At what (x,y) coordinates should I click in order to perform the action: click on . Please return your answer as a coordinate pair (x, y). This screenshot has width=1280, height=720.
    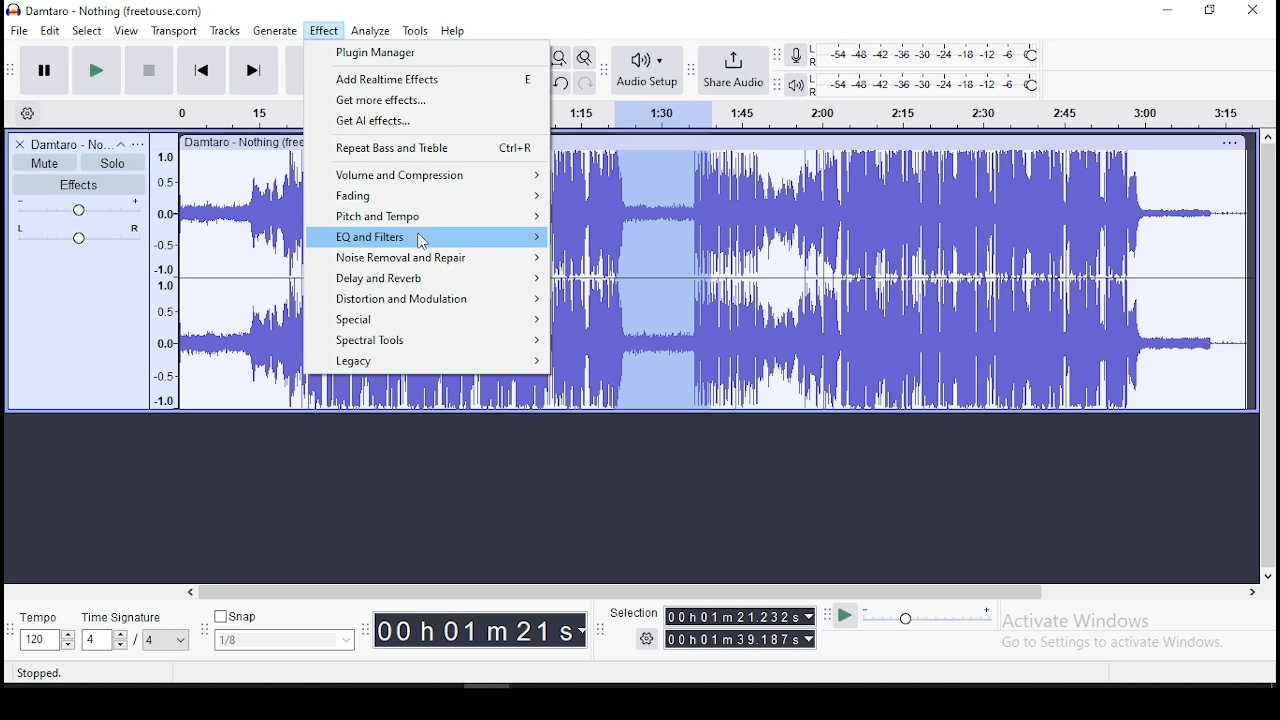
    Looking at the image, I should click on (241, 141).